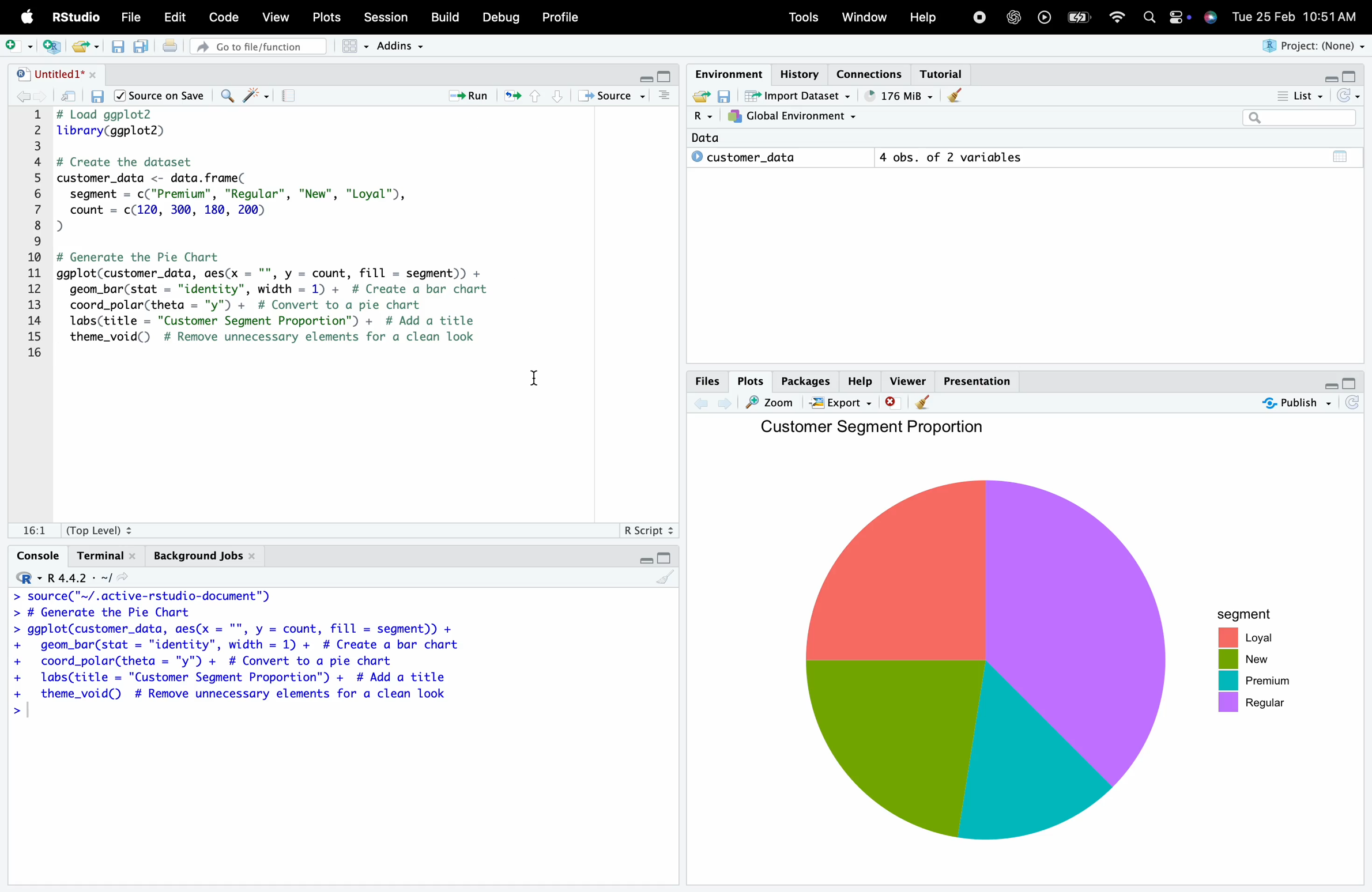 The image size is (1372, 892). I want to click on maximise, so click(668, 556).